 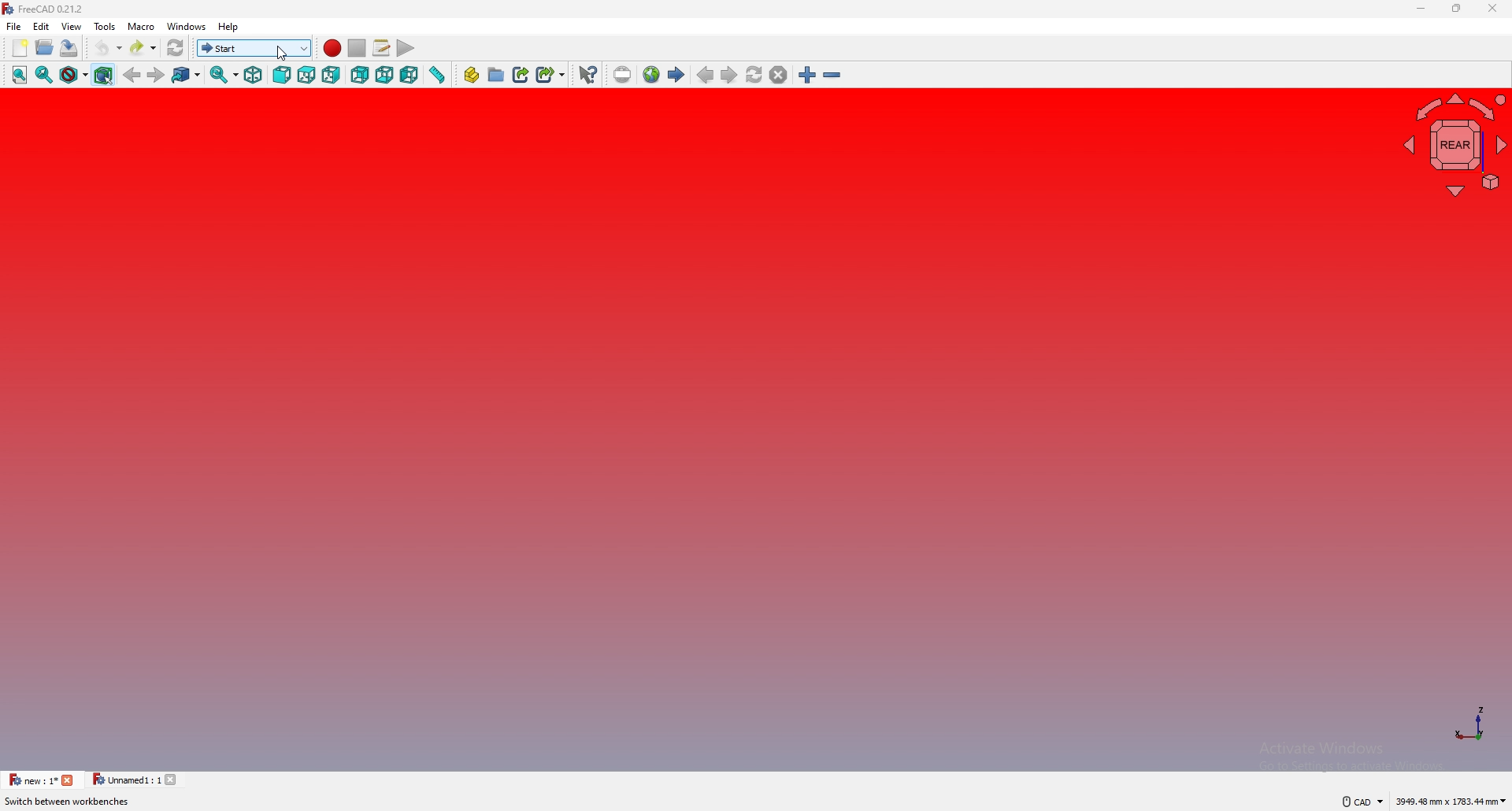 What do you see at coordinates (410, 75) in the screenshot?
I see `left` at bounding box center [410, 75].